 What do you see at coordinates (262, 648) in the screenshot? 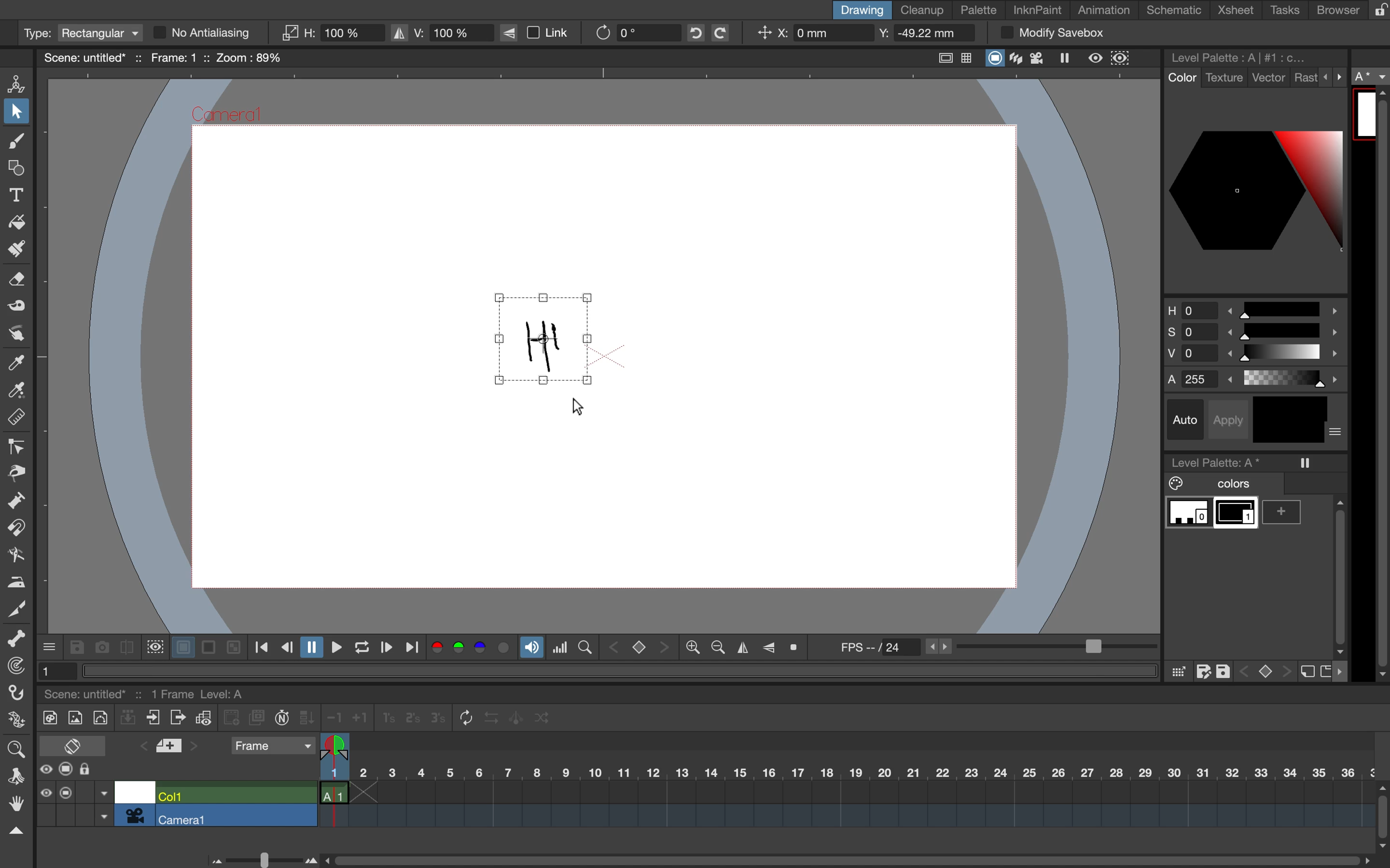
I see `first frame` at bounding box center [262, 648].